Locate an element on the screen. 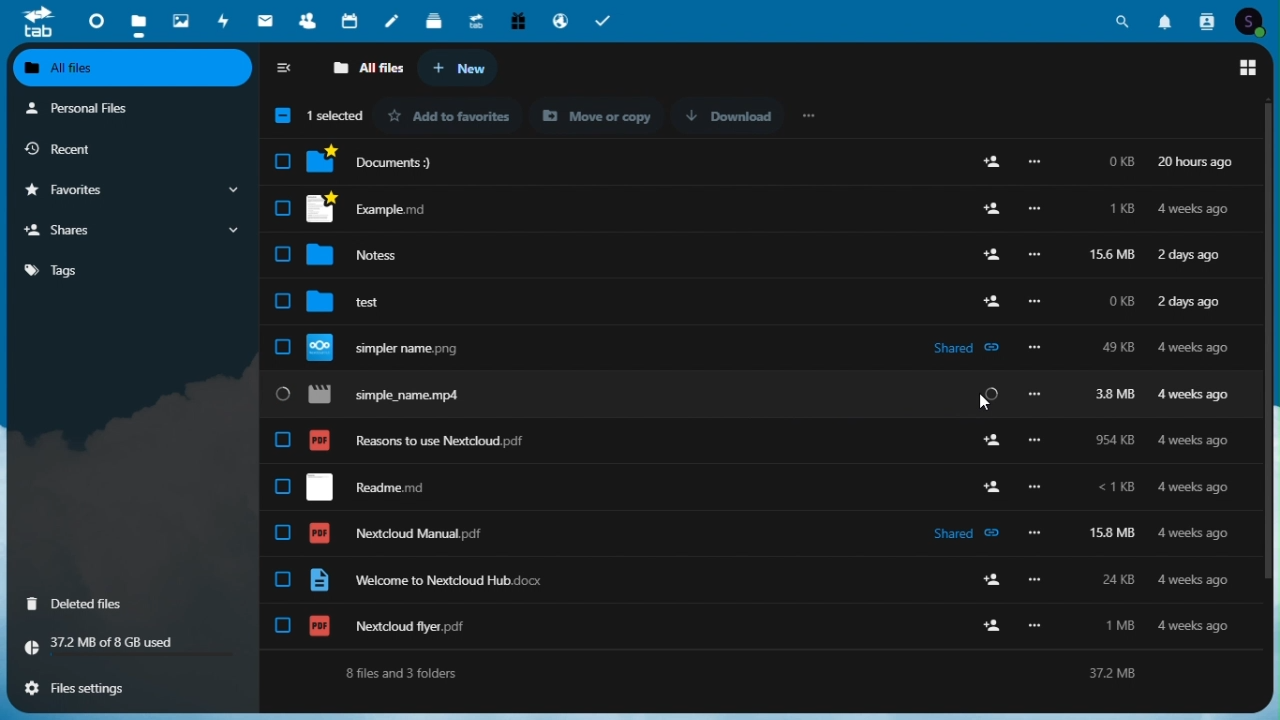 This screenshot has width=1280, height=720. recent is located at coordinates (122, 148).